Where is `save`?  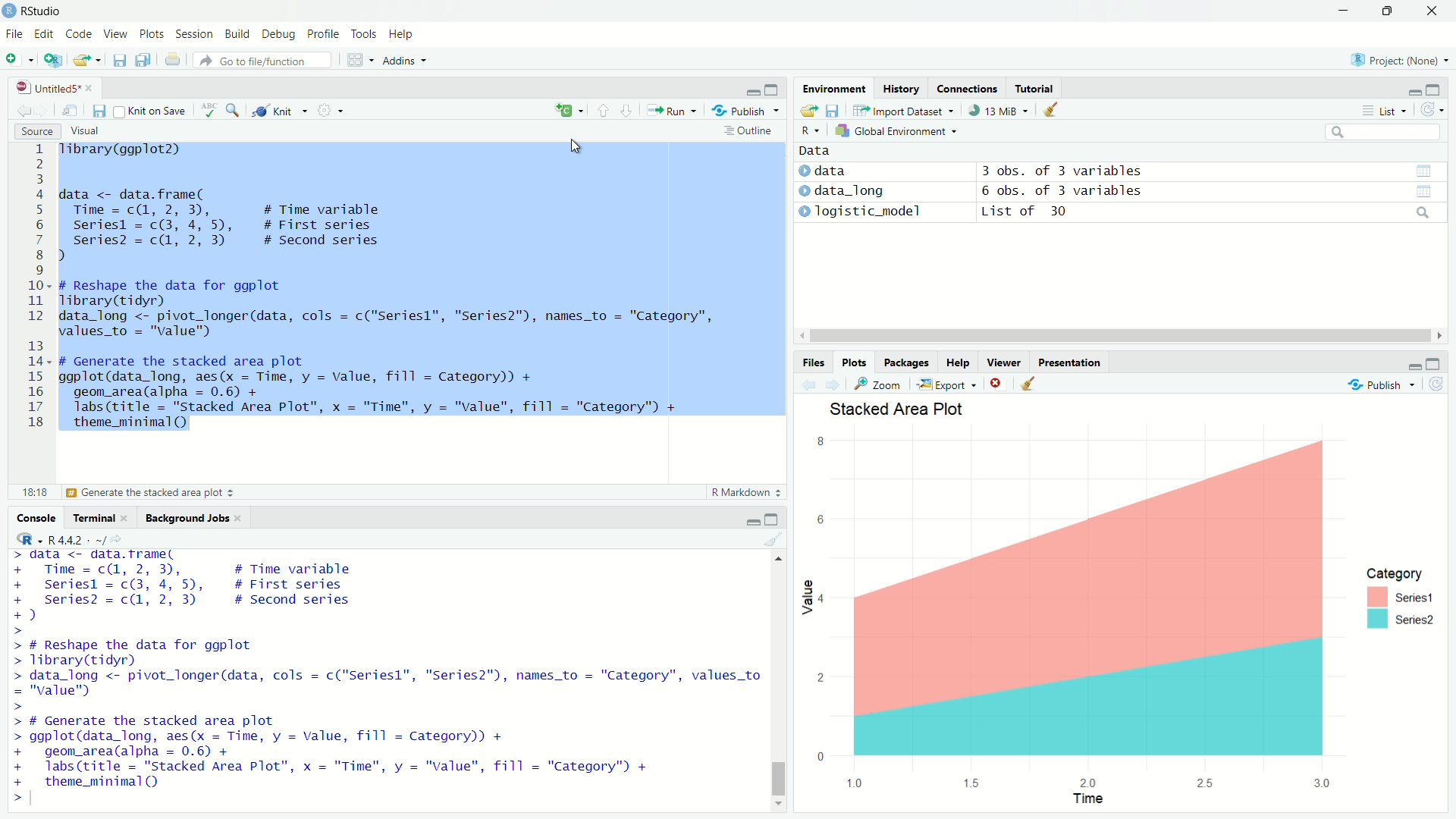
save is located at coordinates (118, 63).